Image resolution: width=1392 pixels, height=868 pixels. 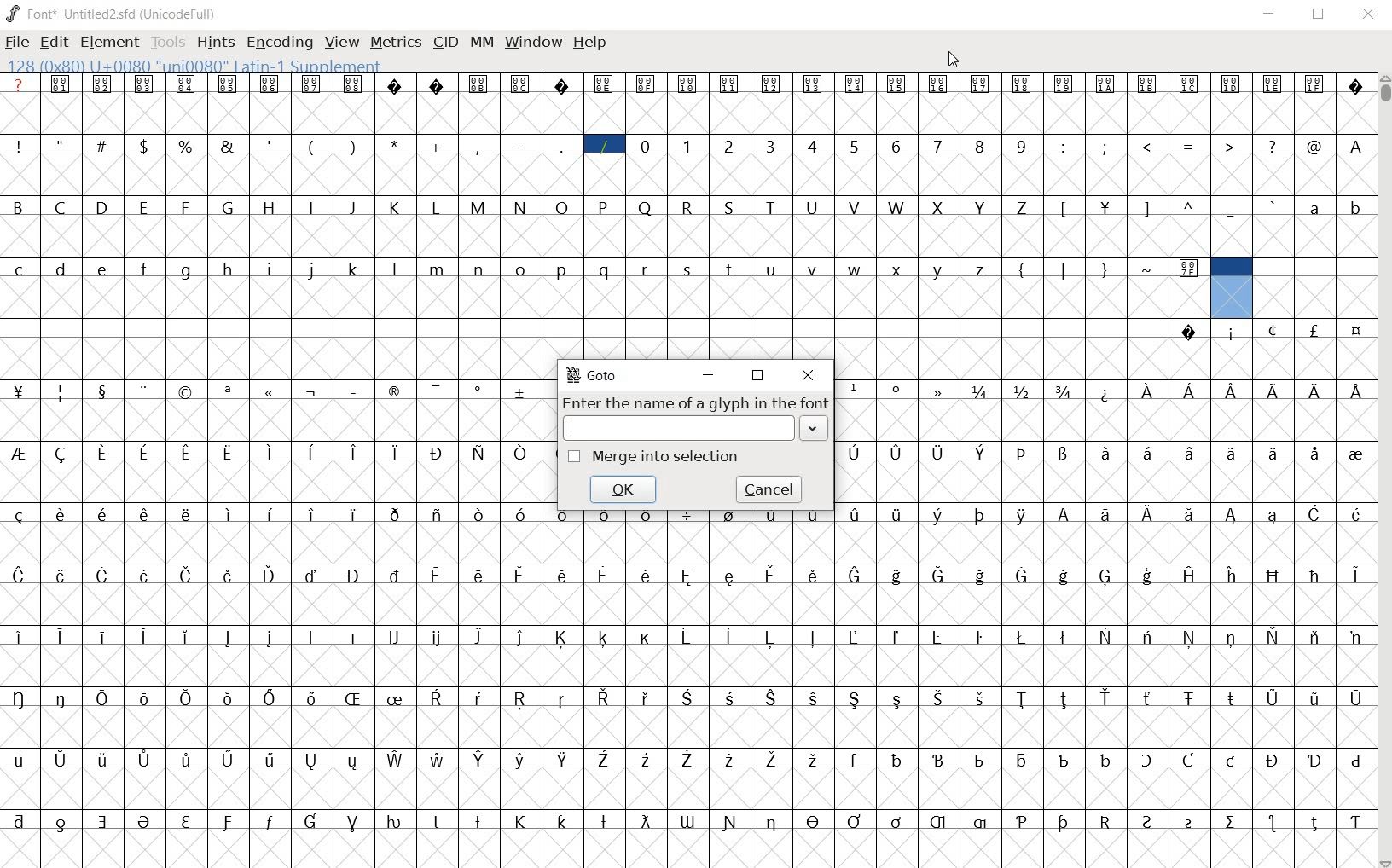 I want to click on Symbol, so click(x=1232, y=389).